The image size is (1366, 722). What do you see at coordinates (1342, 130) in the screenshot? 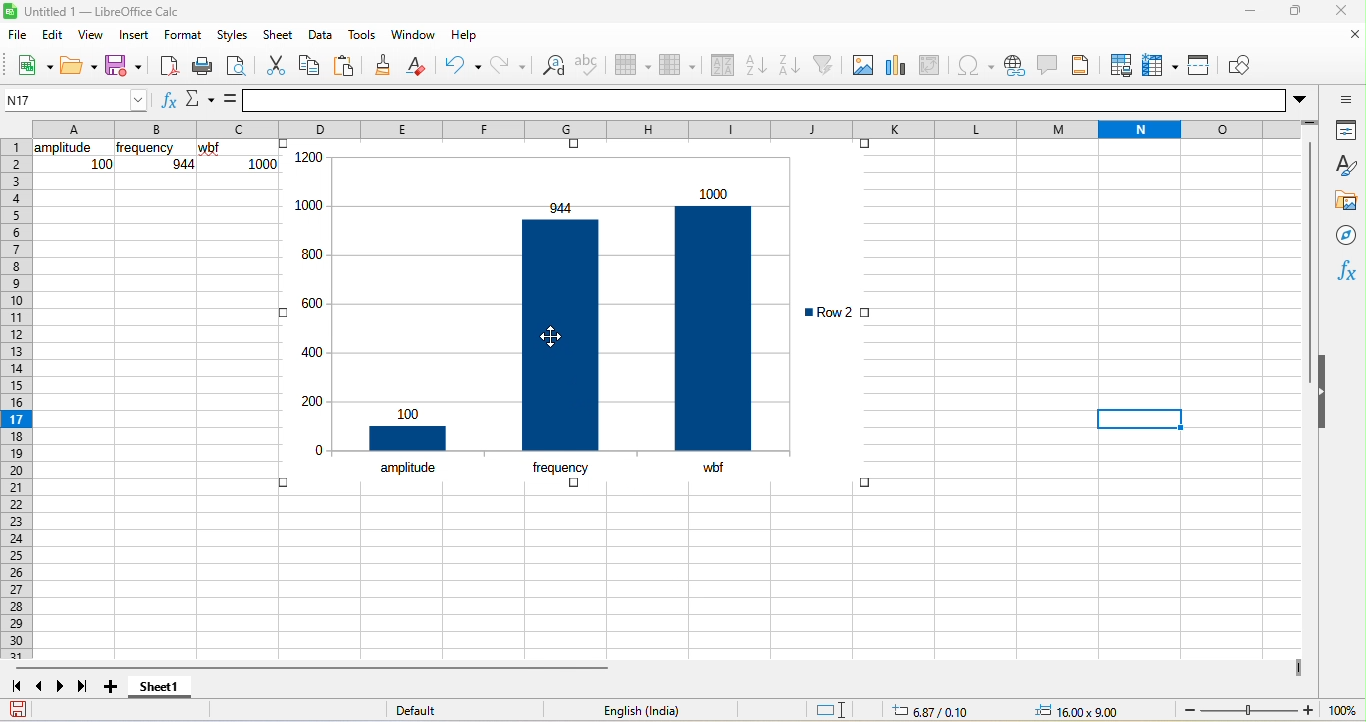
I see `properties` at bounding box center [1342, 130].